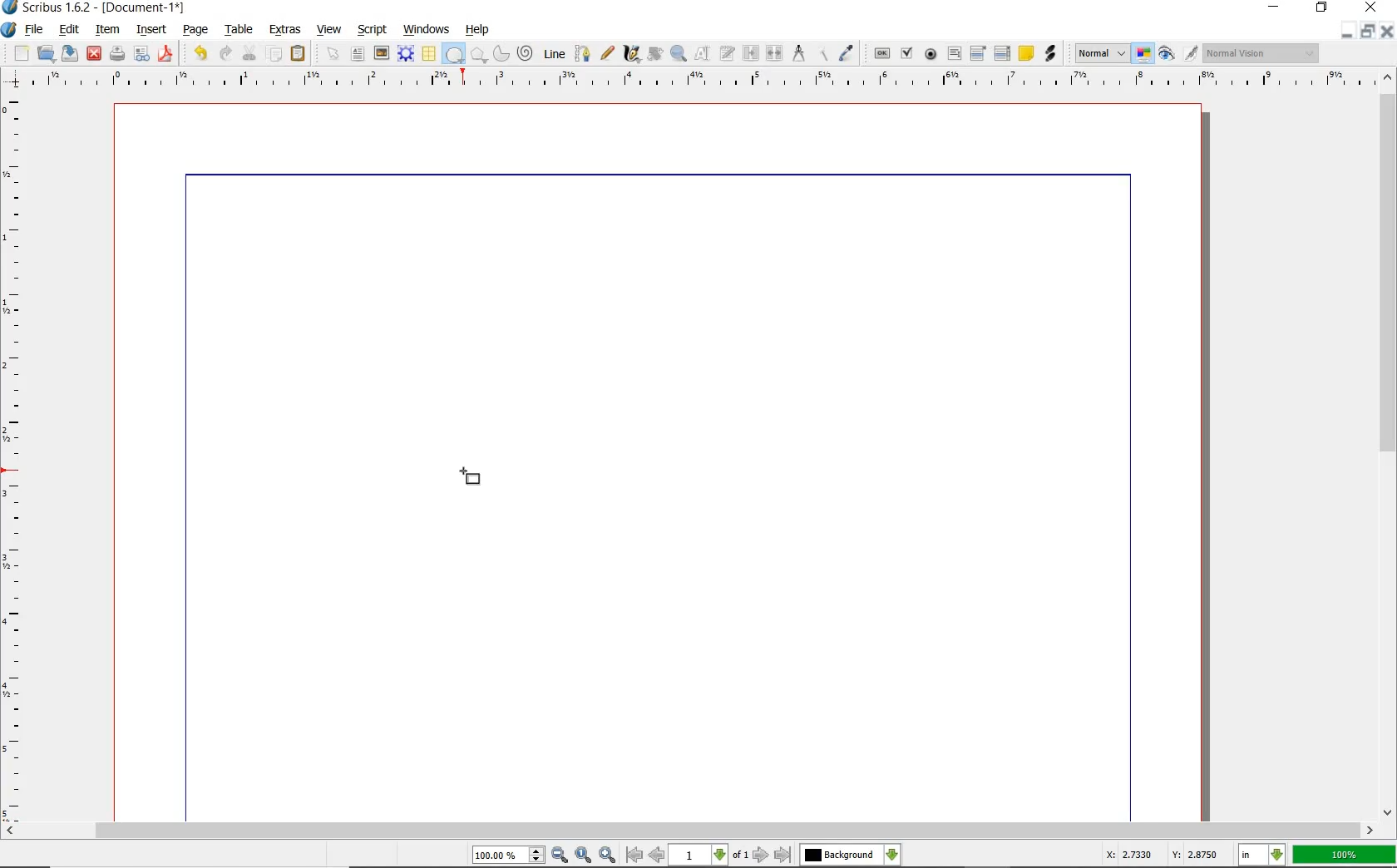 Image resolution: width=1397 pixels, height=868 pixels. I want to click on FREEHAND LINE, so click(608, 52).